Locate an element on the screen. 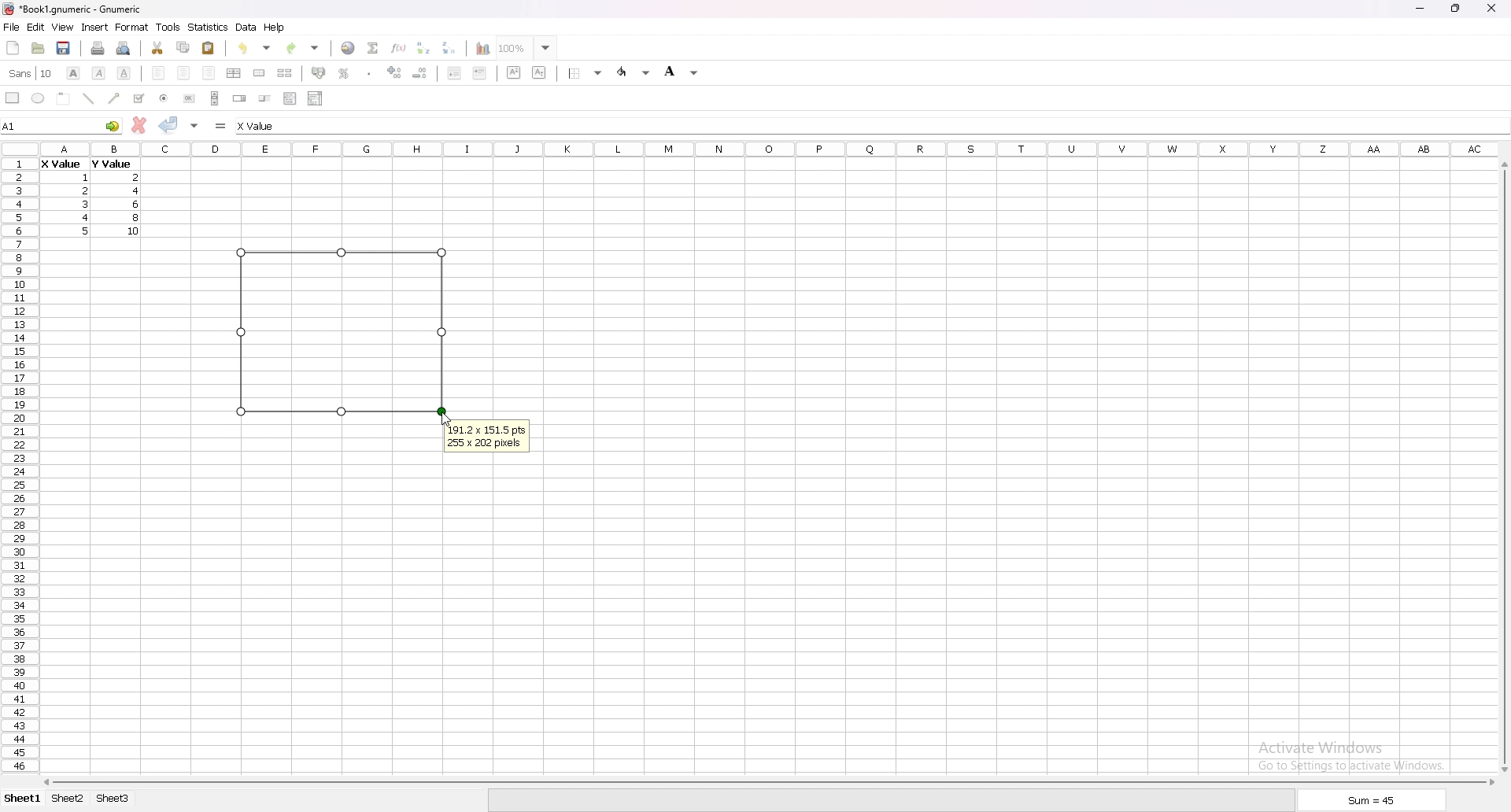 The width and height of the screenshot is (1511, 812). split merged cells is located at coordinates (284, 73).